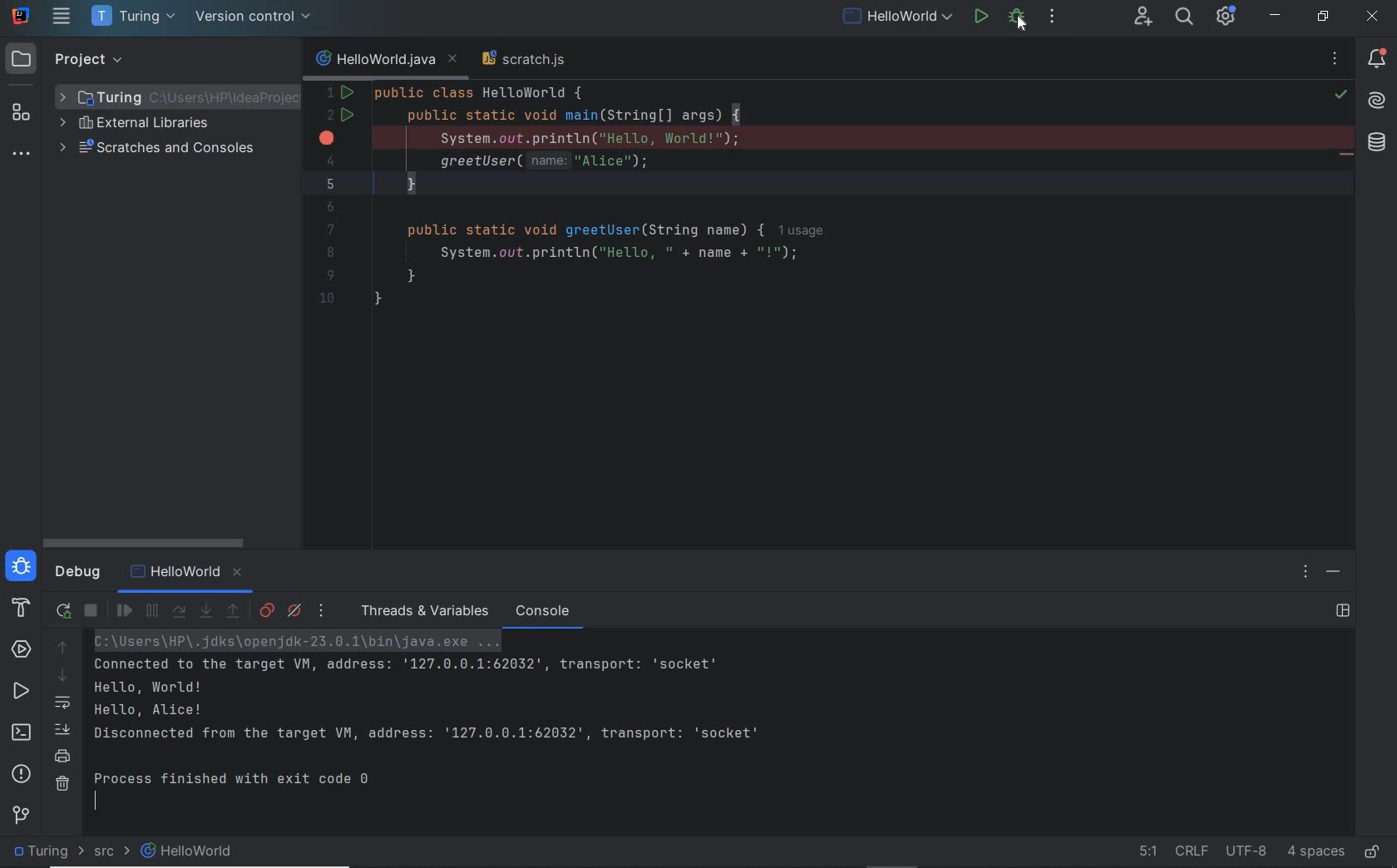  What do you see at coordinates (64, 609) in the screenshot?
I see `rerun` at bounding box center [64, 609].